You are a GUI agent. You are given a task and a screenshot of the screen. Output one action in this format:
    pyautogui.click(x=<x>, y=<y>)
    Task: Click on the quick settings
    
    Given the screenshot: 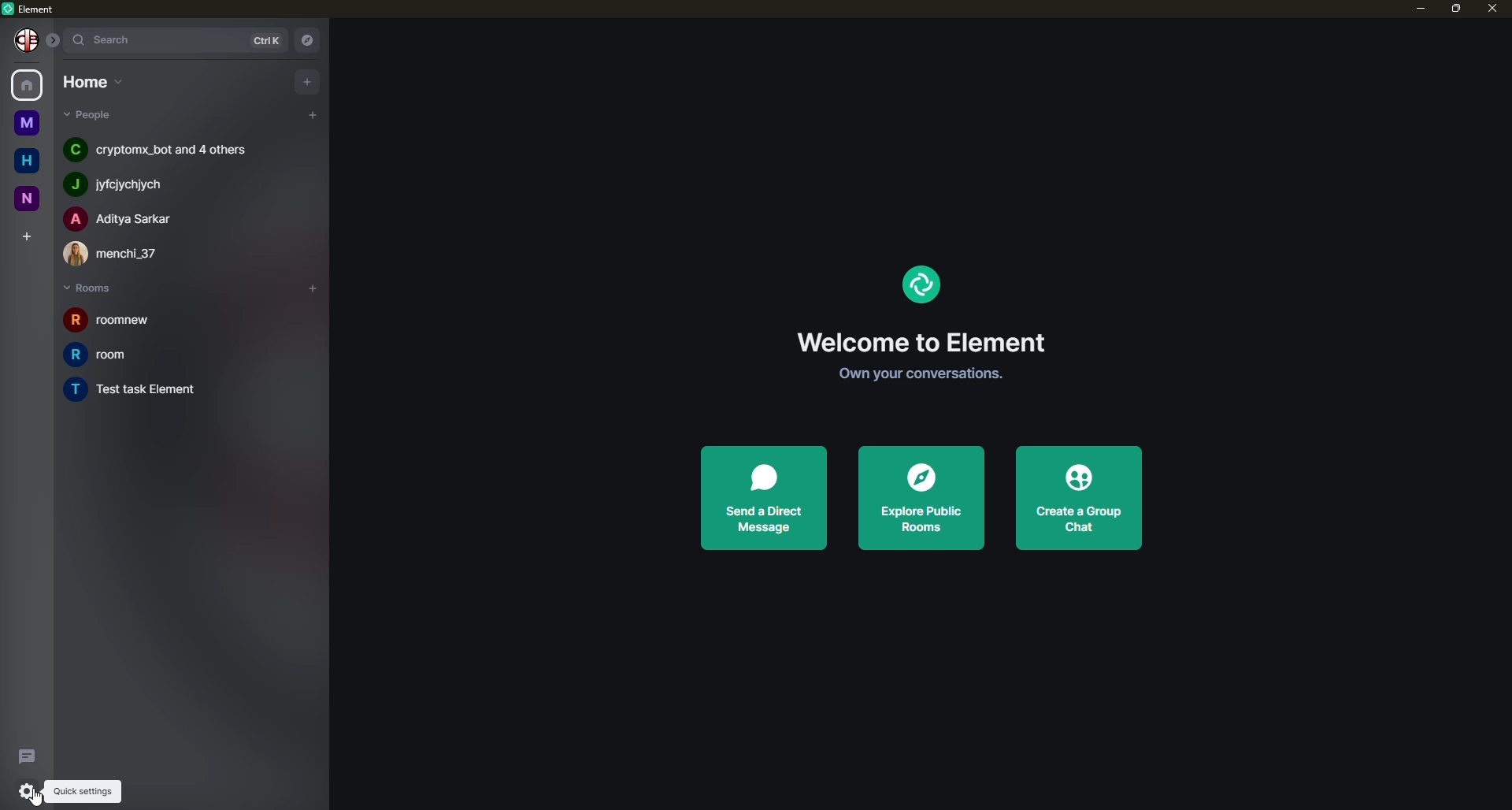 What is the action you would take?
    pyautogui.click(x=29, y=790)
    